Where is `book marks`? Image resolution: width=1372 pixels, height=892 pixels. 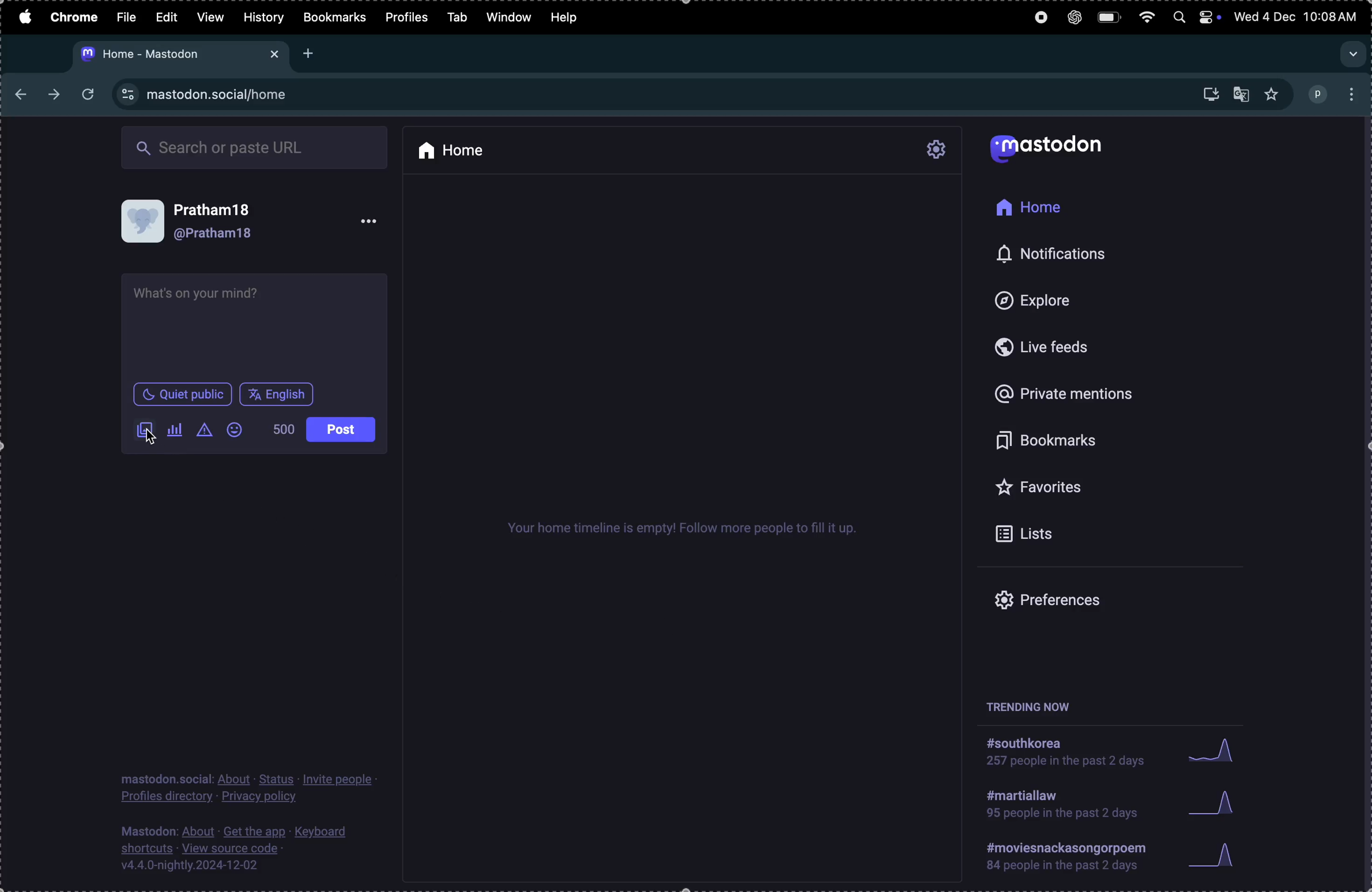
book marks is located at coordinates (1081, 439).